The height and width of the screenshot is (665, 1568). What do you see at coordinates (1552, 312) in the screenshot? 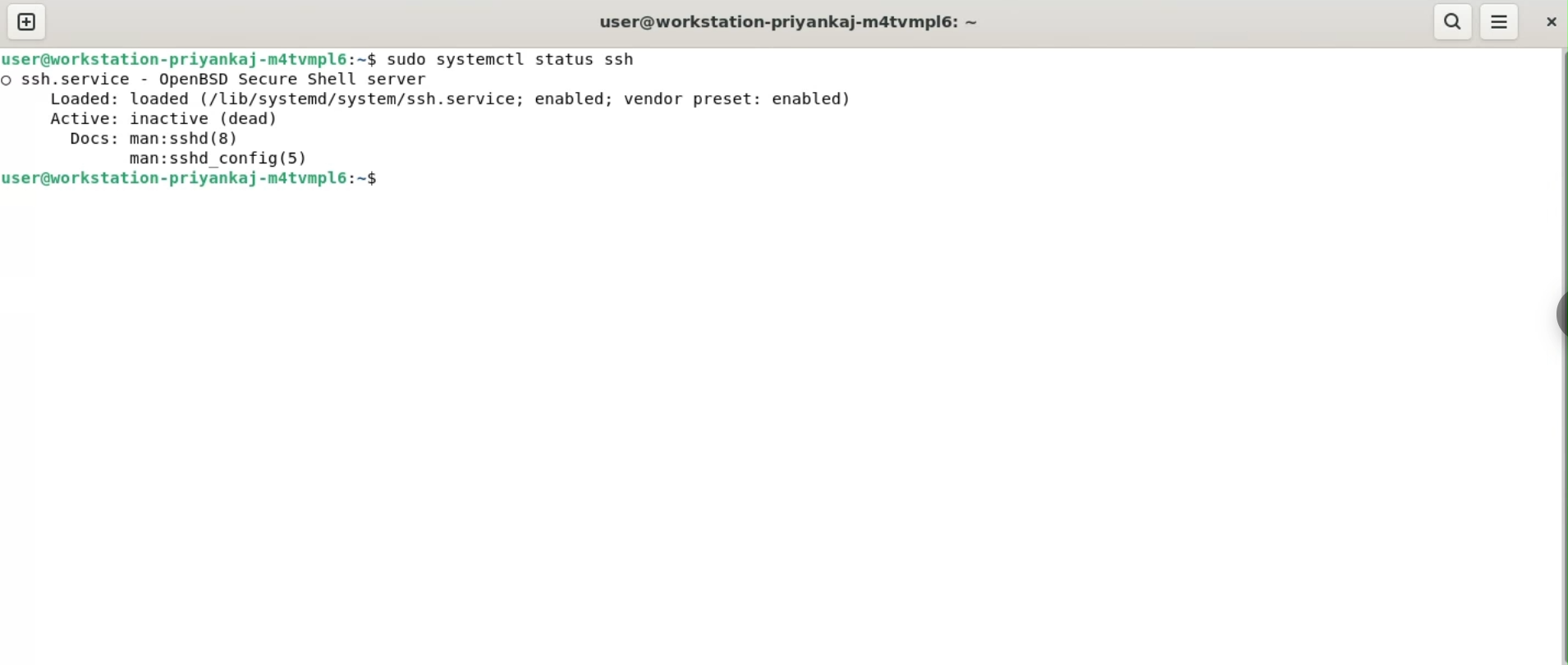
I see `Toggle button` at bounding box center [1552, 312].